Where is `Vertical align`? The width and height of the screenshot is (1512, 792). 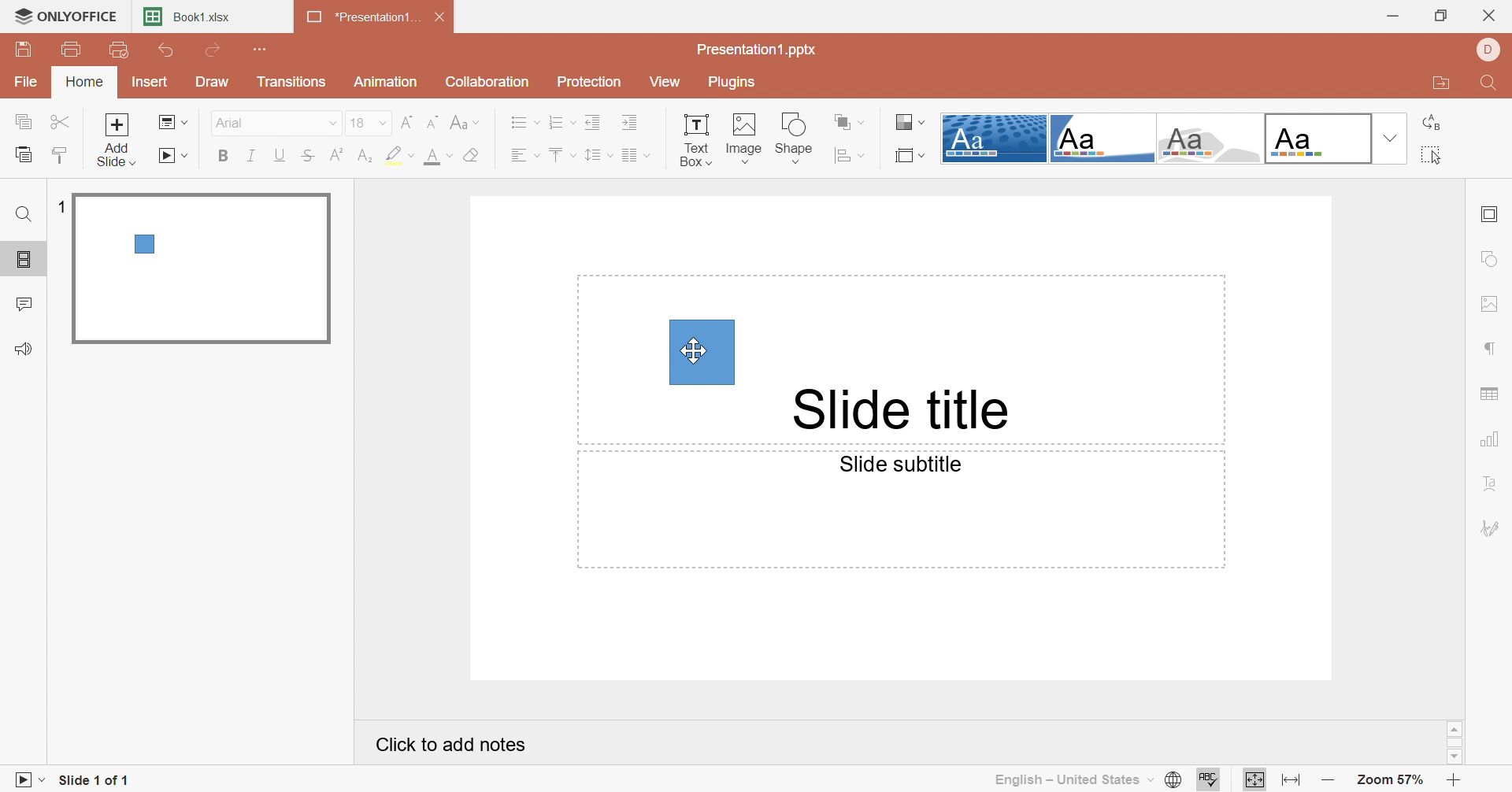
Vertical align is located at coordinates (563, 156).